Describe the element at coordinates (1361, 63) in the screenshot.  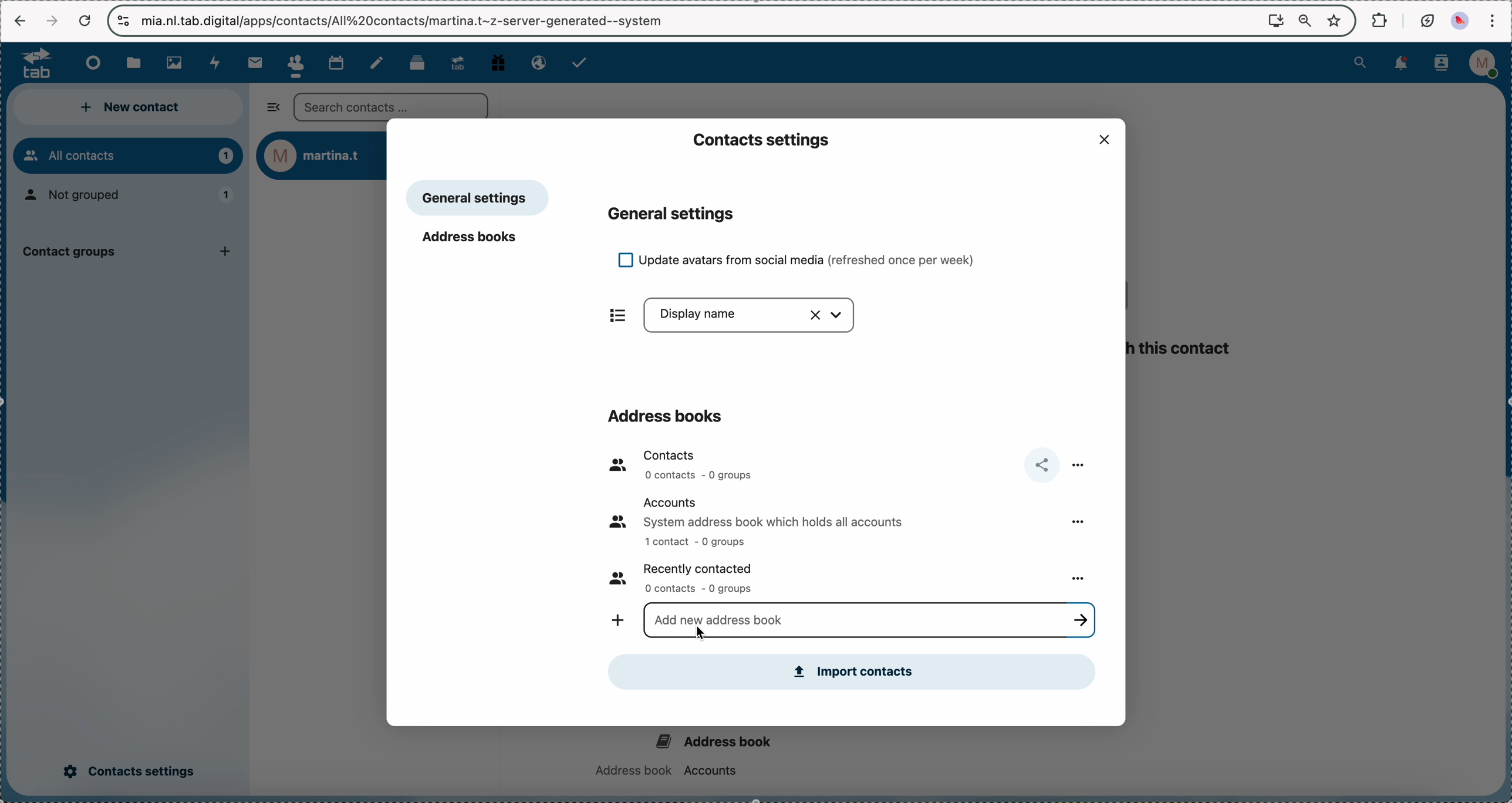
I see `search` at that location.